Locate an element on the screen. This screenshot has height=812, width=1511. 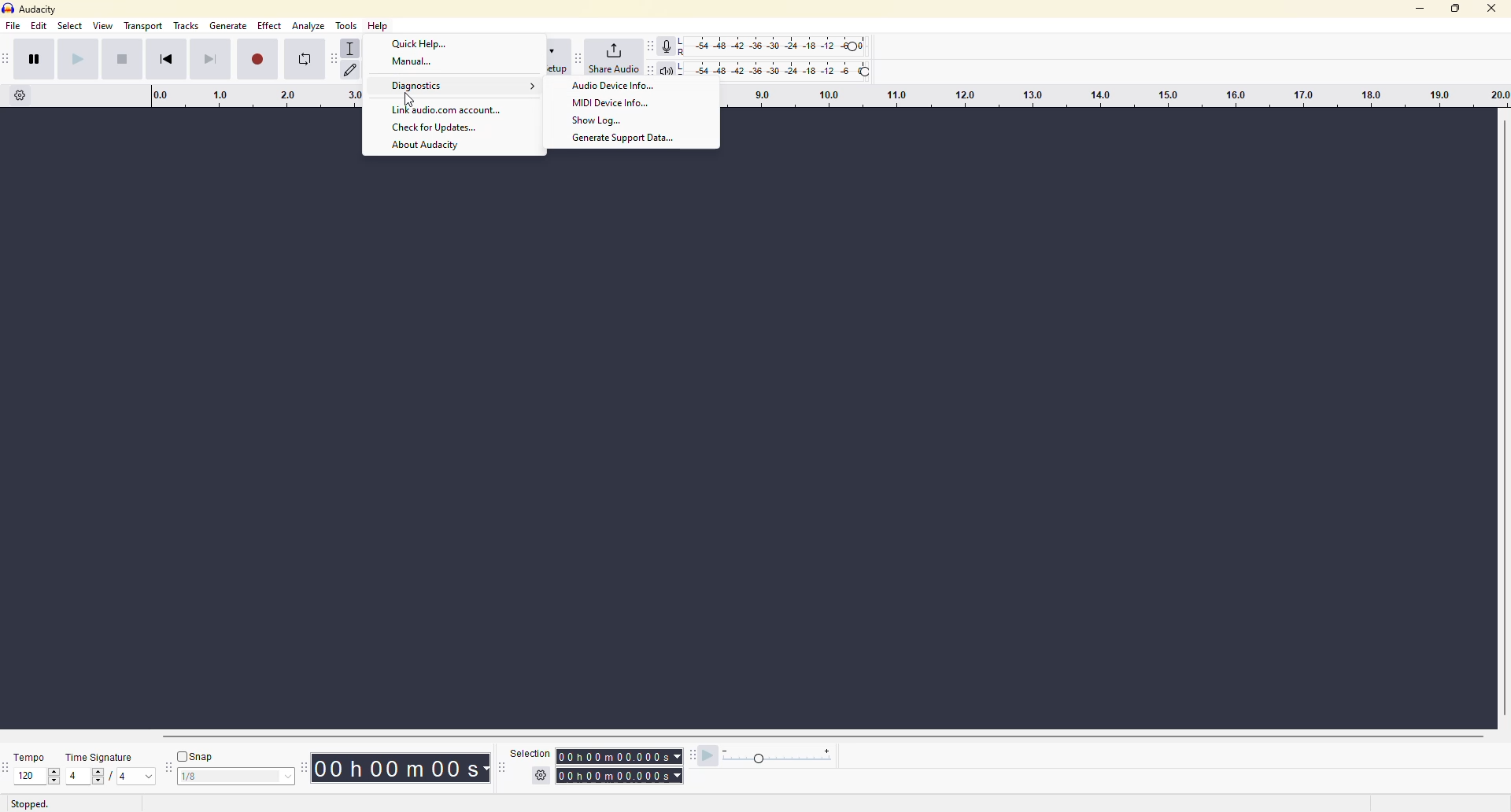
MIDI Device Info... is located at coordinates (612, 102).